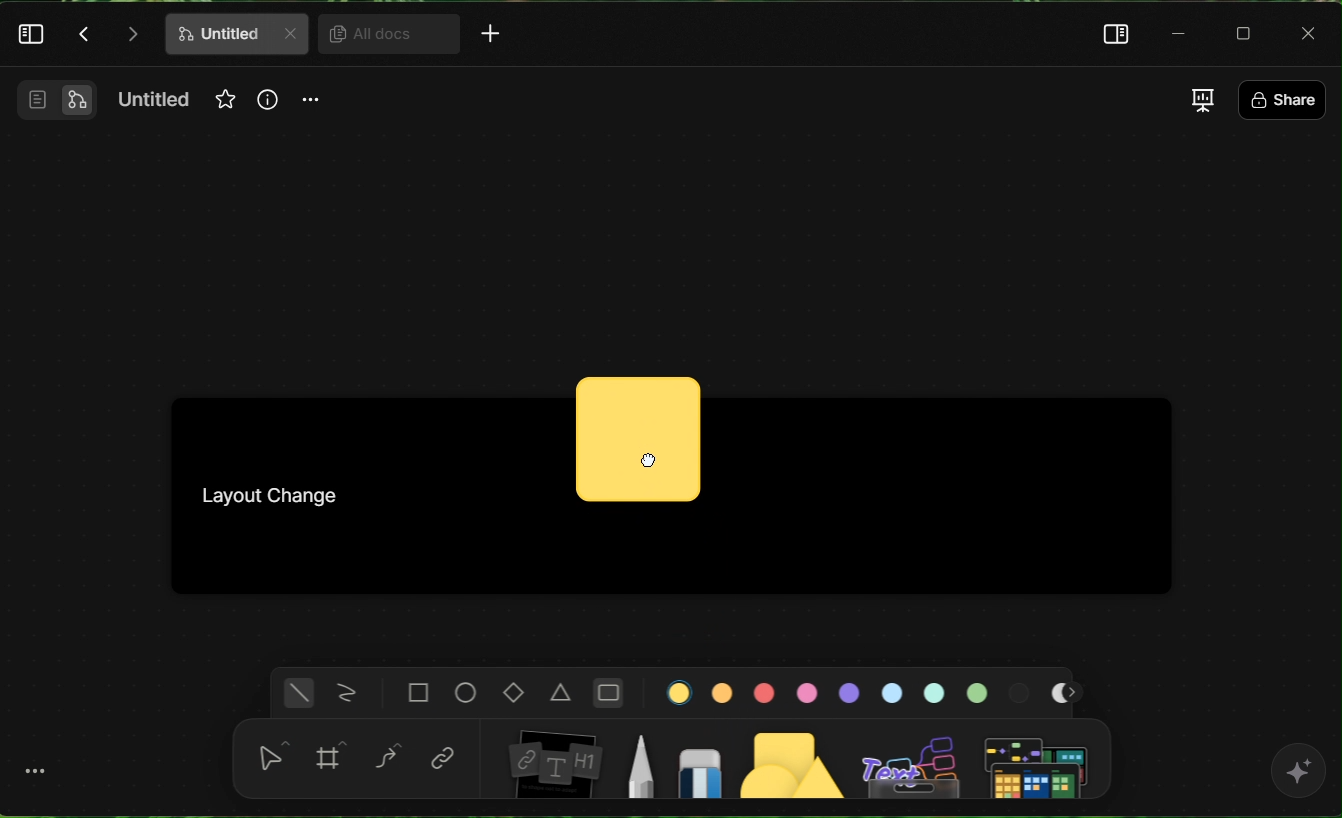 Image resolution: width=1342 pixels, height=818 pixels. I want to click on shape, so click(789, 760).